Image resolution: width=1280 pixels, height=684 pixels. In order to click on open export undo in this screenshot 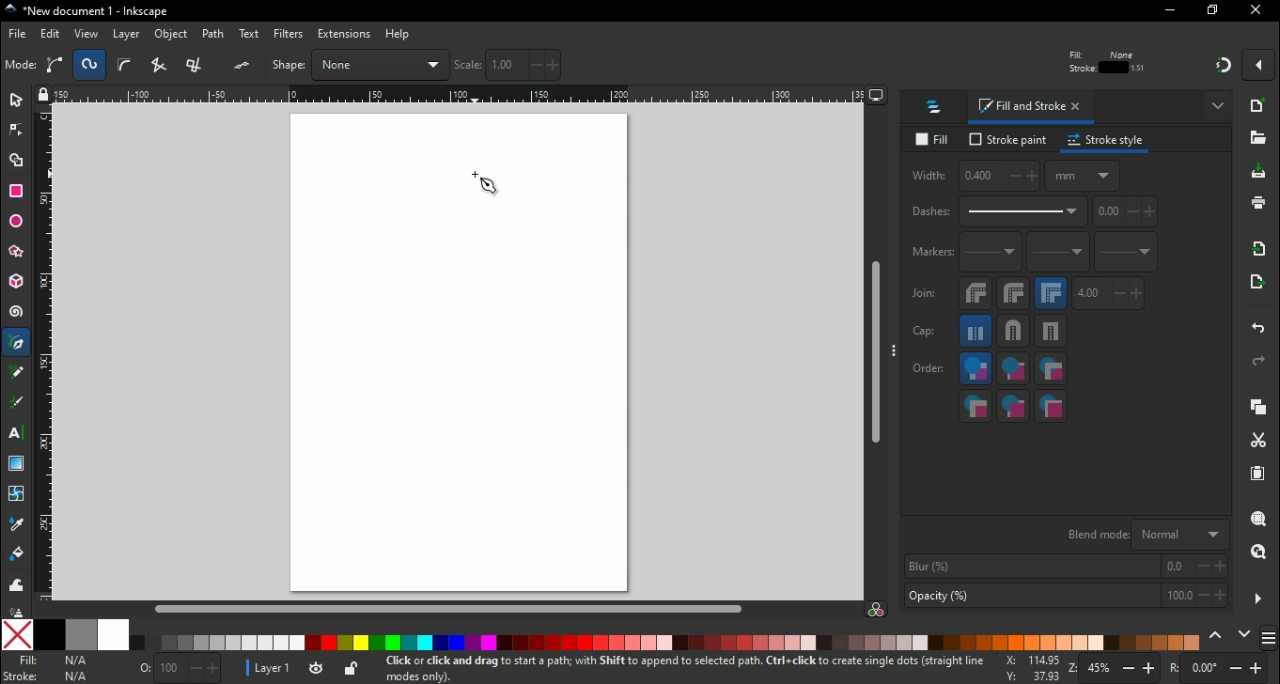, I will do `click(1258, 287)`.